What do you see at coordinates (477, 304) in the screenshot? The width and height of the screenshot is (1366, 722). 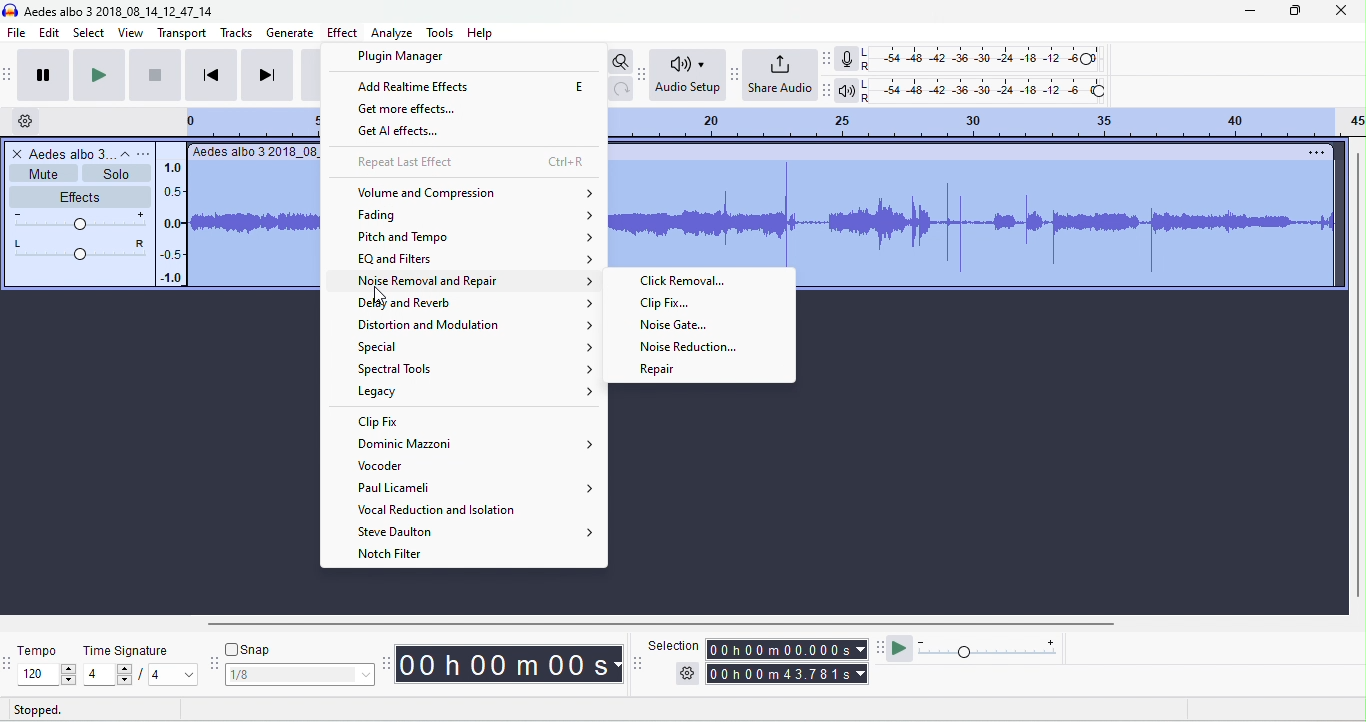 I see `delay and reverb` at bounding box center [477, 304].